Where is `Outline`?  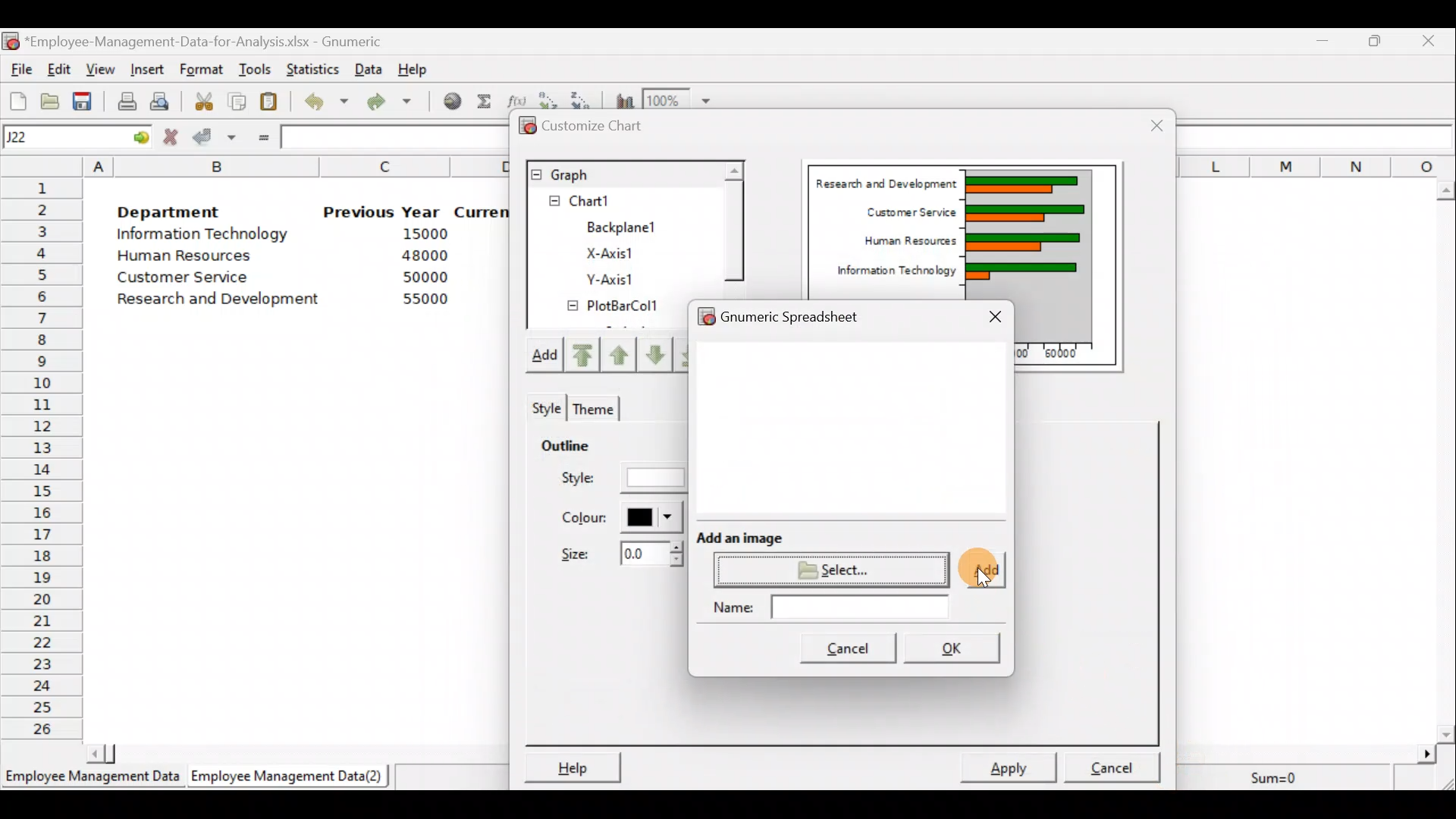 Outline is located at coordinates (587, 448).